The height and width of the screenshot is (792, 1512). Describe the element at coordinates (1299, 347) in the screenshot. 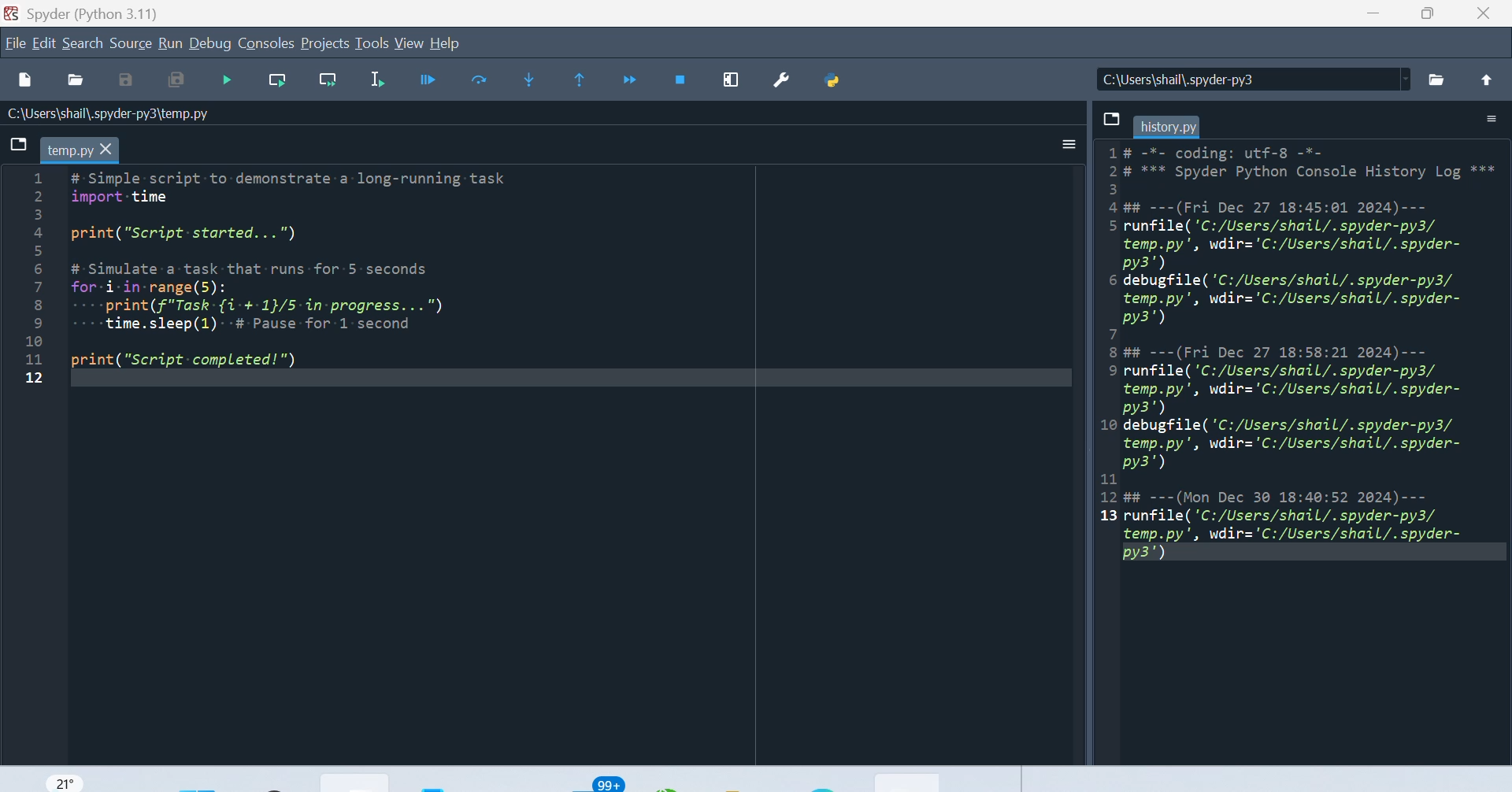

I see `History pane` at that location.